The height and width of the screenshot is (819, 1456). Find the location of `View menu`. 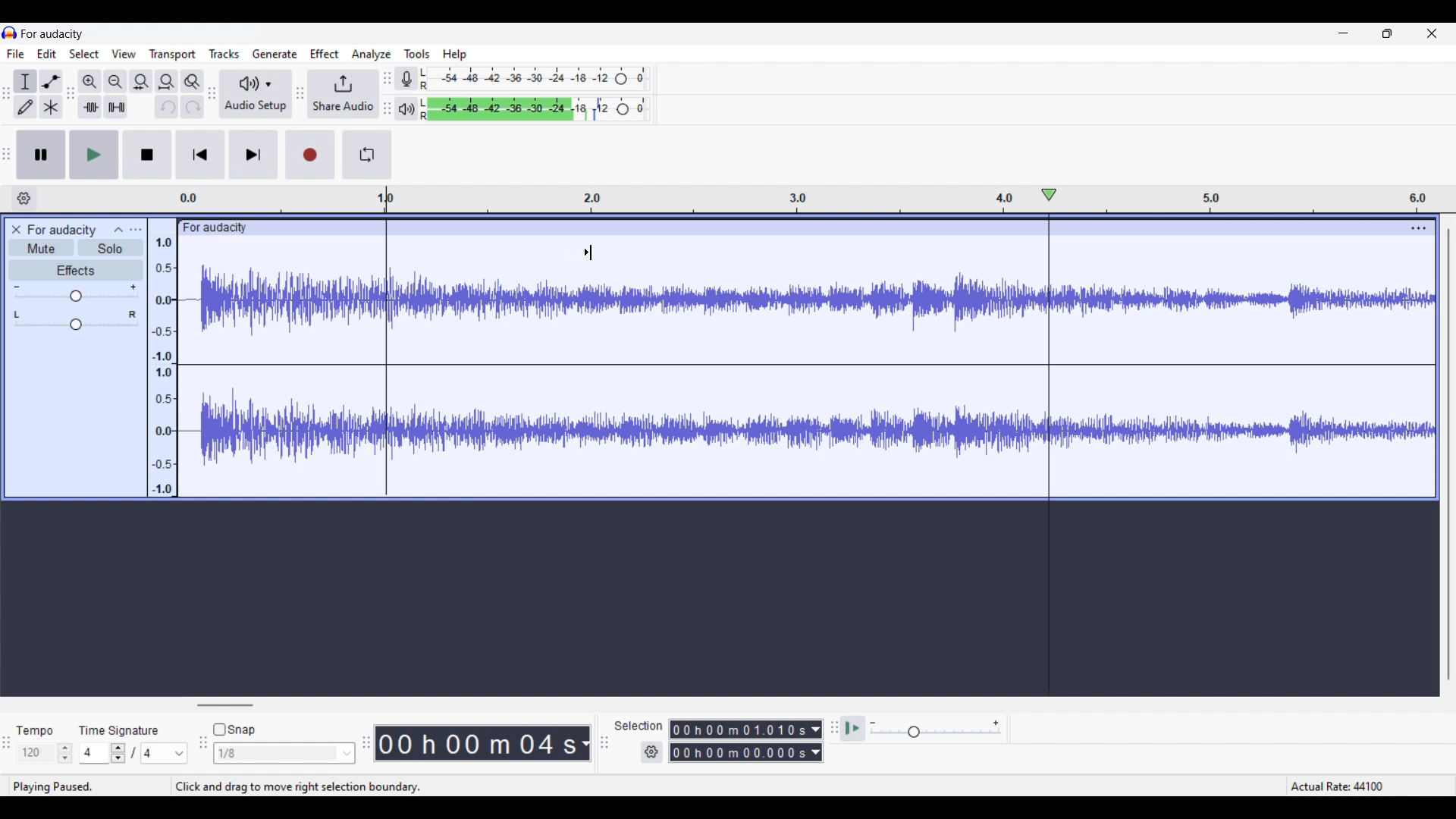

View menu is located at coordinates (124, 53).